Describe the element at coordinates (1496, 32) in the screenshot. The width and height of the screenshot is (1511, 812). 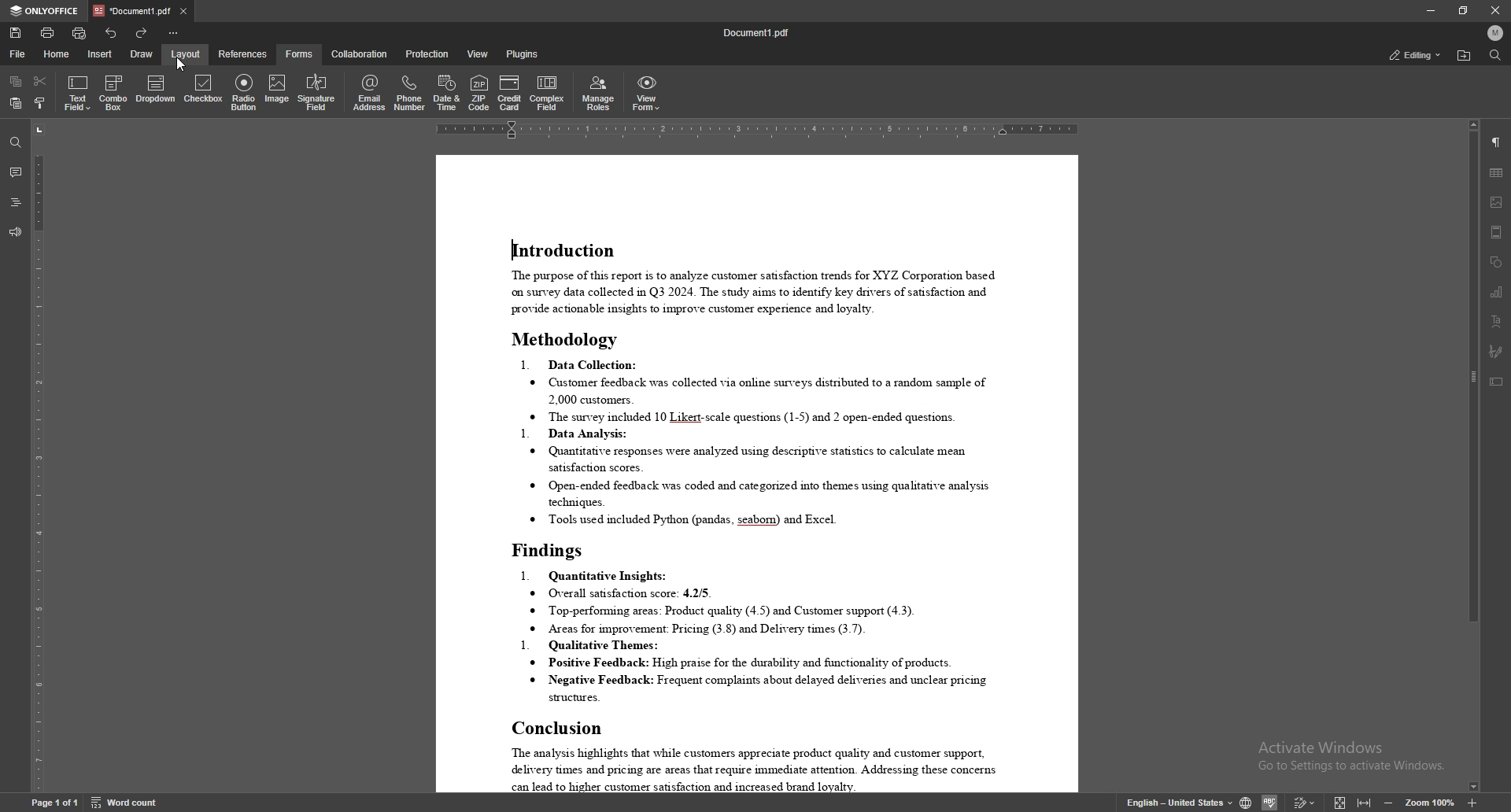
I see `profile` at that location.